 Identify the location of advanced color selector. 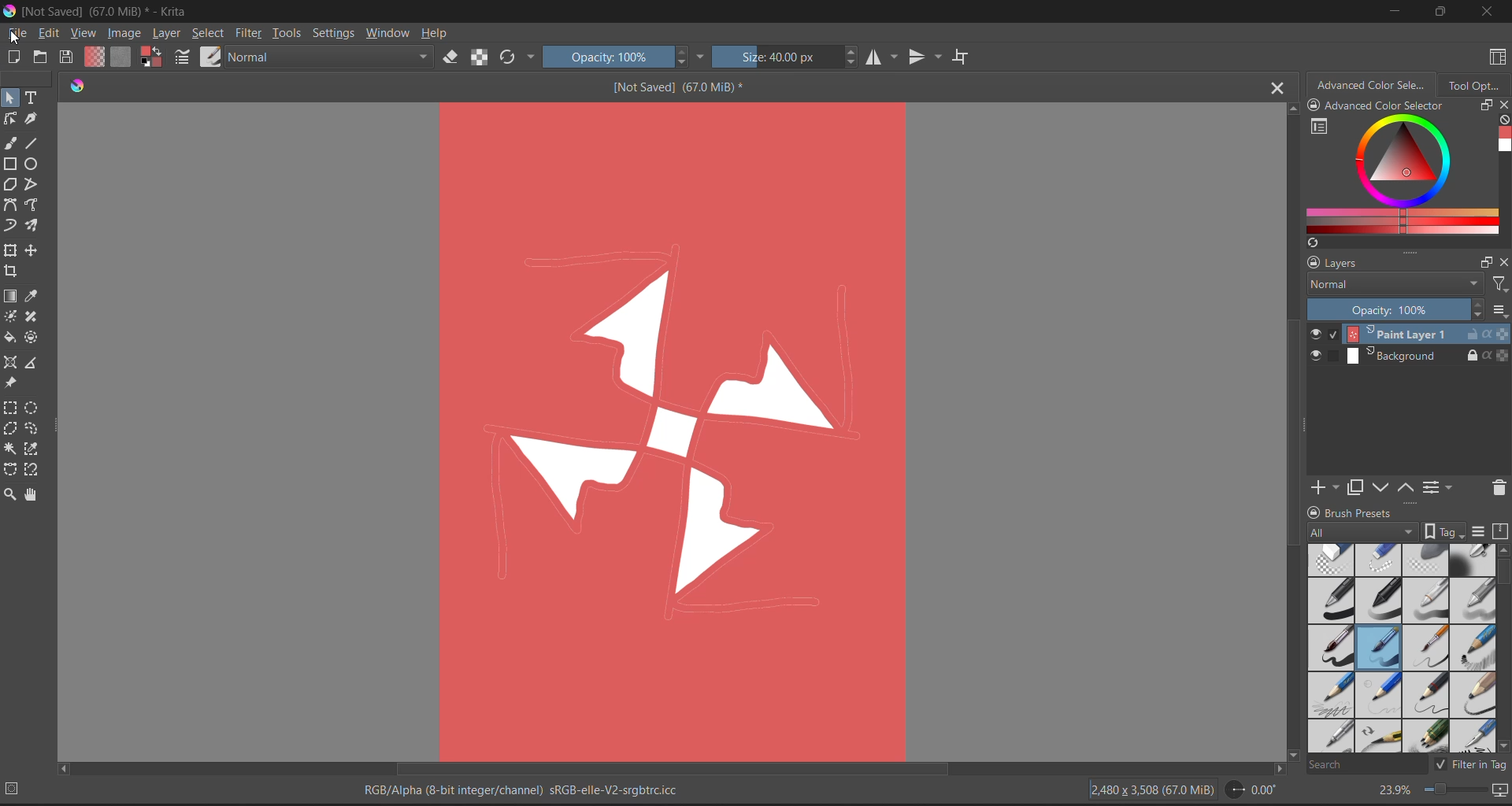
(1402, 176).